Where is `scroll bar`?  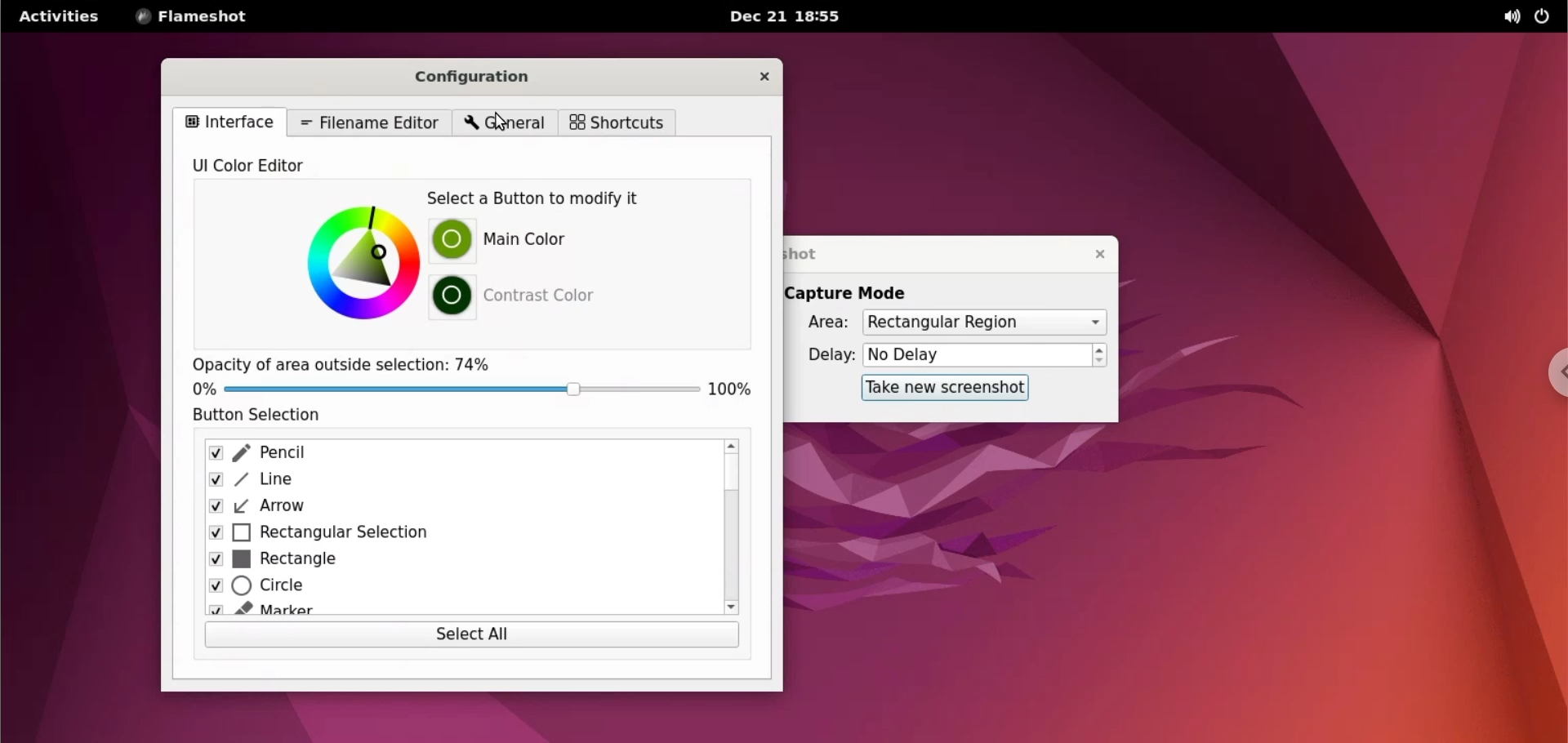
scroll bar is located at coordinates (732, 527).